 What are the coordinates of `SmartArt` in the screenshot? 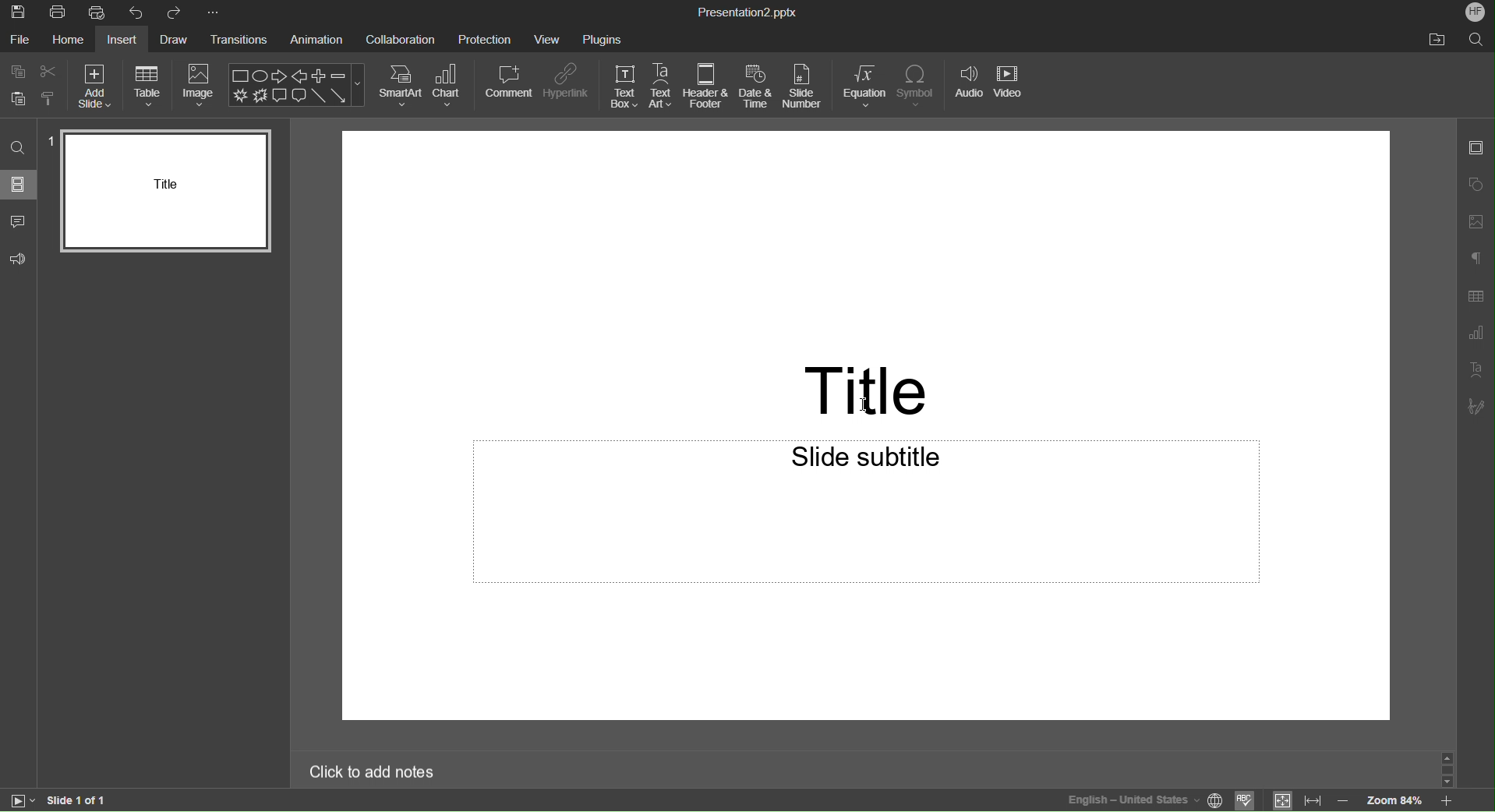 It's located at (401, 85).